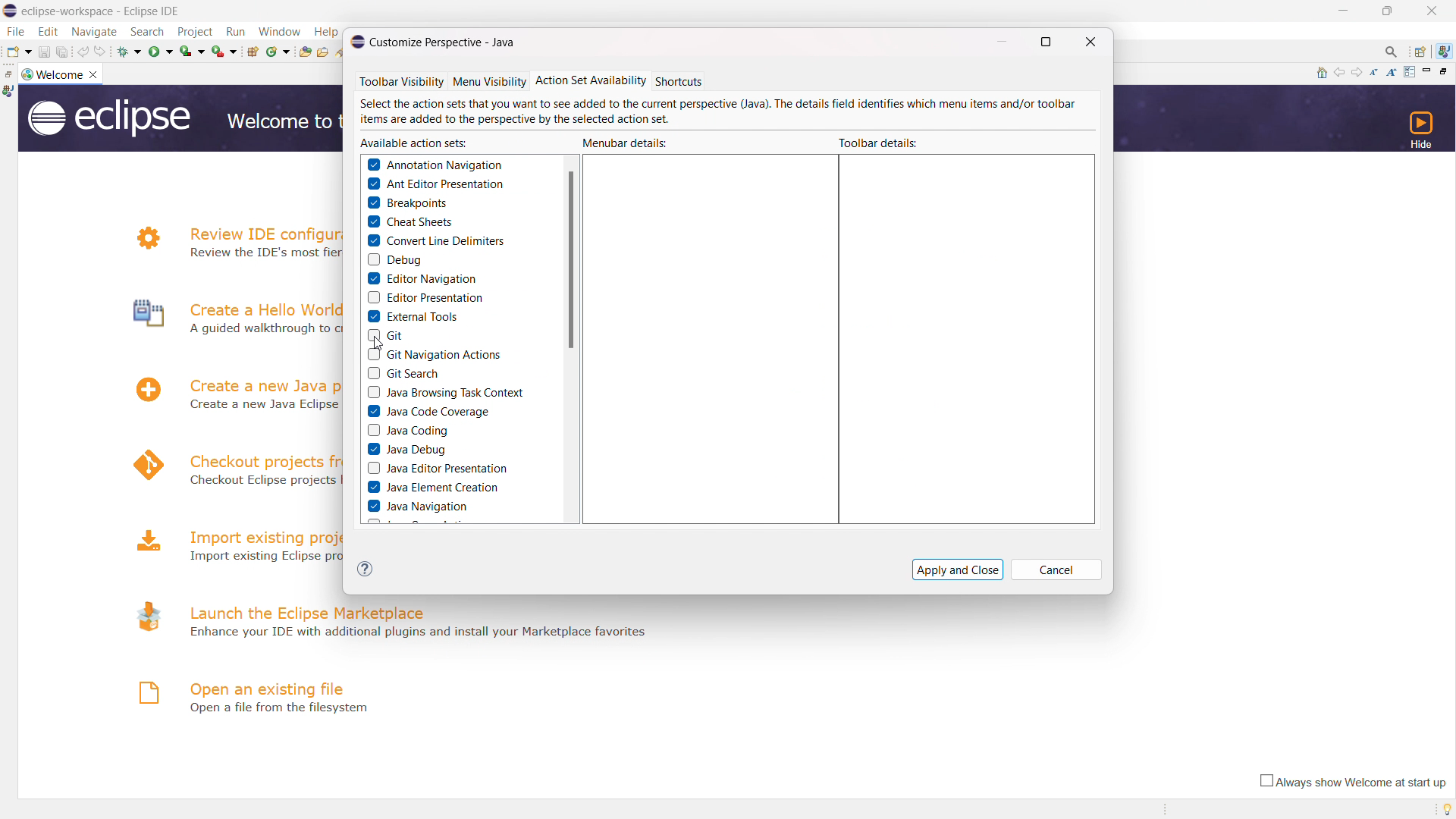 The width and height of the screenshot is (1456, 819). What do you see at coordinates (18, 52) in the screenshot?
I see `new` at bounding box center [18, 52].